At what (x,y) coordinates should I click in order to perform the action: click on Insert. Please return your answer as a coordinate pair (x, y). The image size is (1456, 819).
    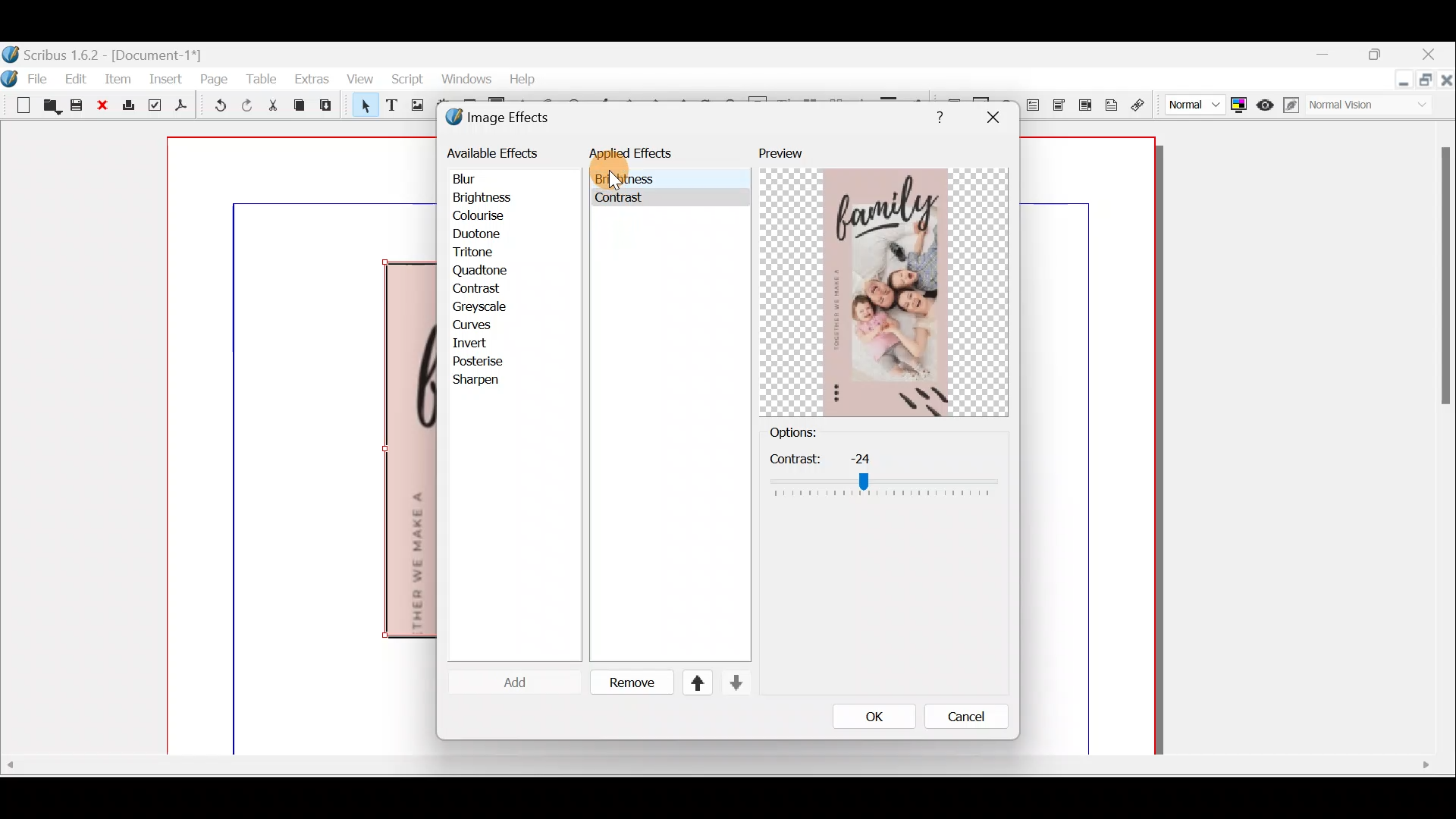
    Looking at the image, I should click on (167, 78).